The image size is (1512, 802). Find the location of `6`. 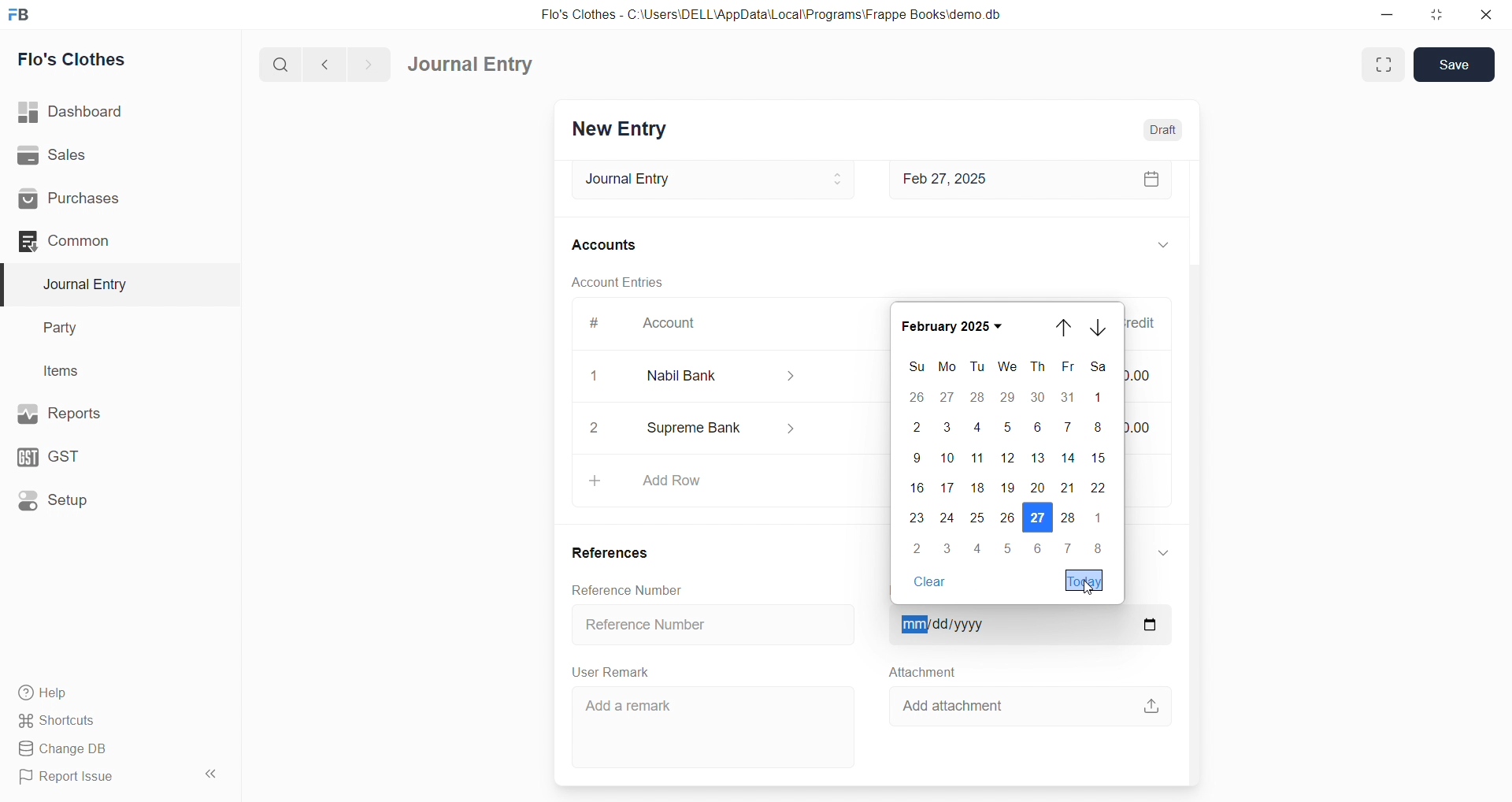

6 is located at coordinates (1039, 429).